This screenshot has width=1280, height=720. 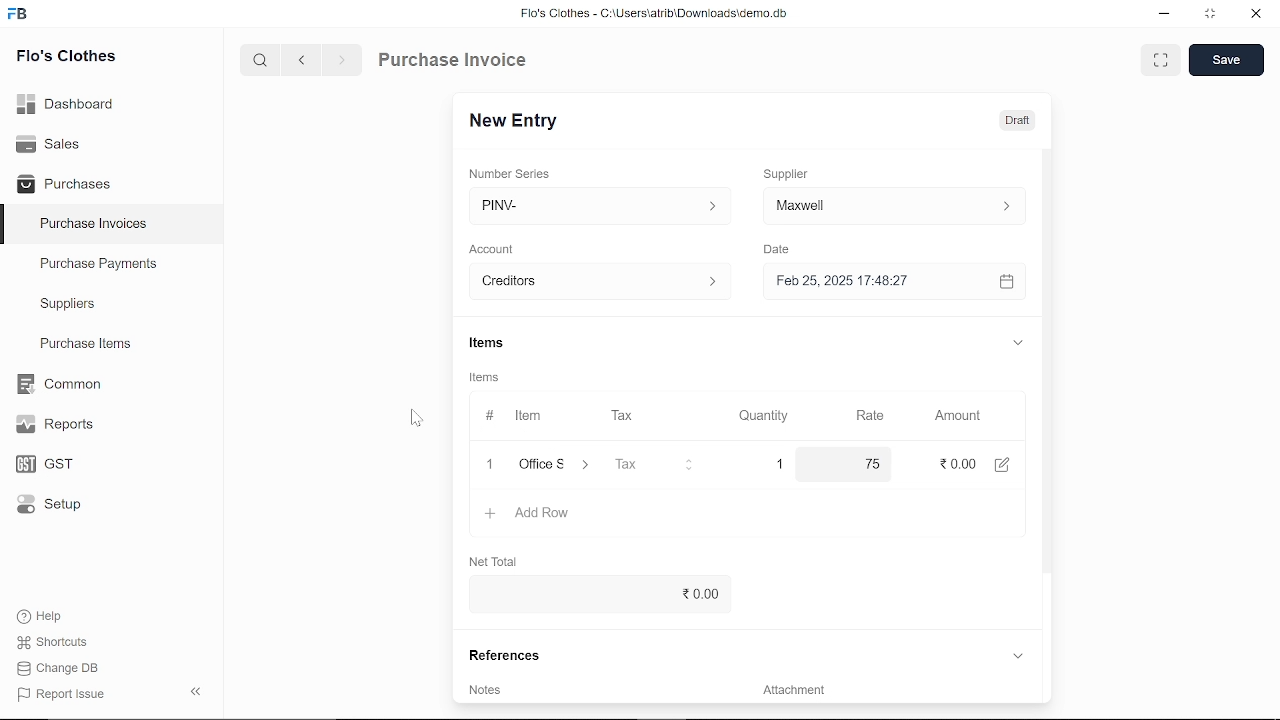 I want to click on Date, so click(x=782, y=250).